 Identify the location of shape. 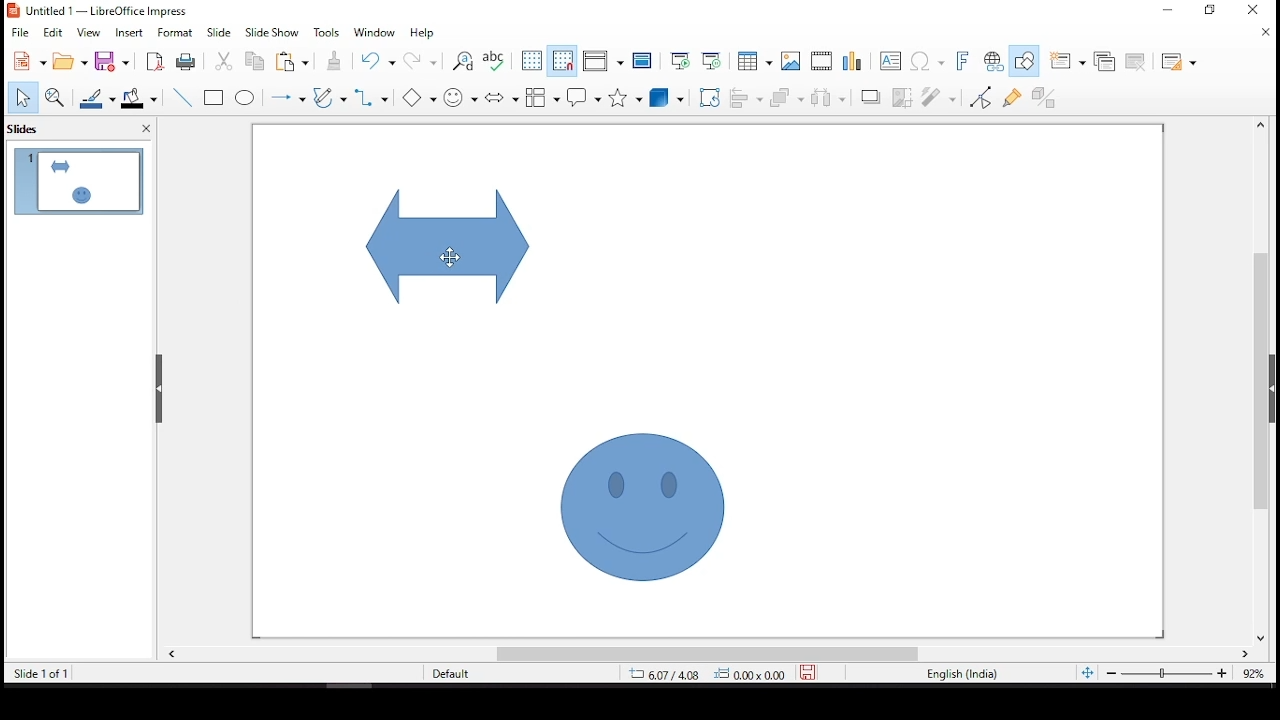
(445, 246).